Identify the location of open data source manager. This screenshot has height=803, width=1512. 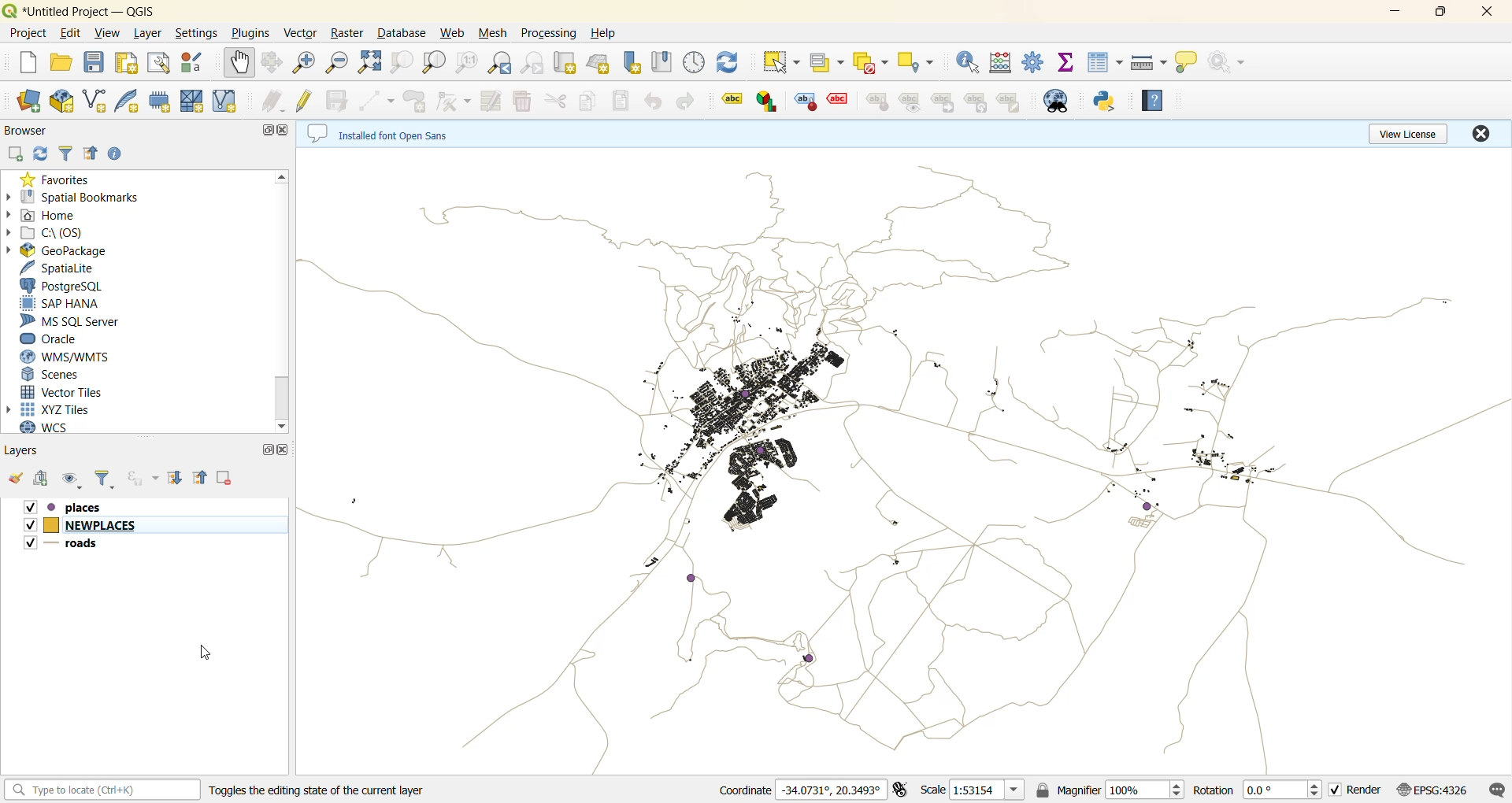
(27, 101).